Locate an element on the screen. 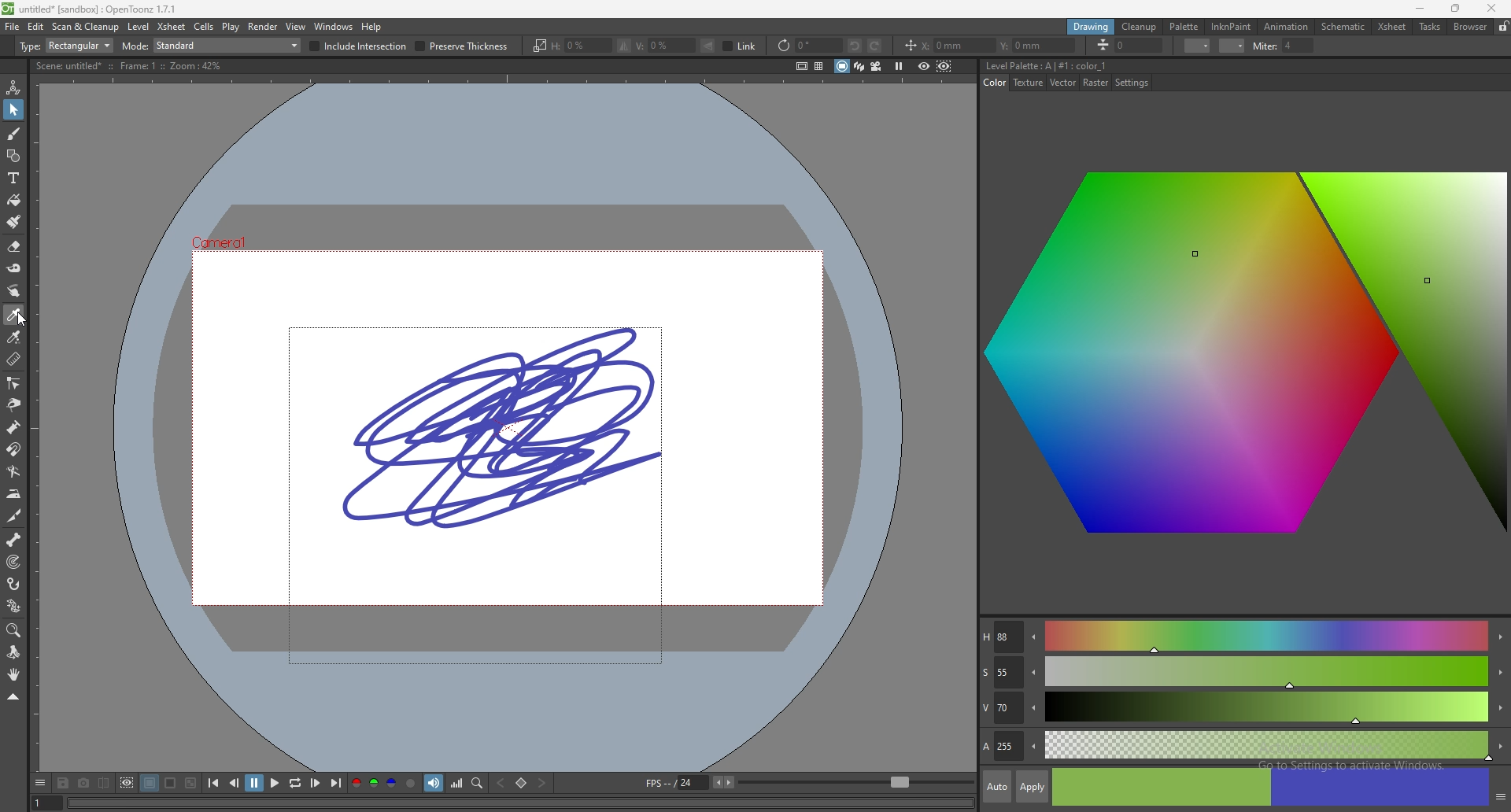  description is located at coordinates (131, 65).